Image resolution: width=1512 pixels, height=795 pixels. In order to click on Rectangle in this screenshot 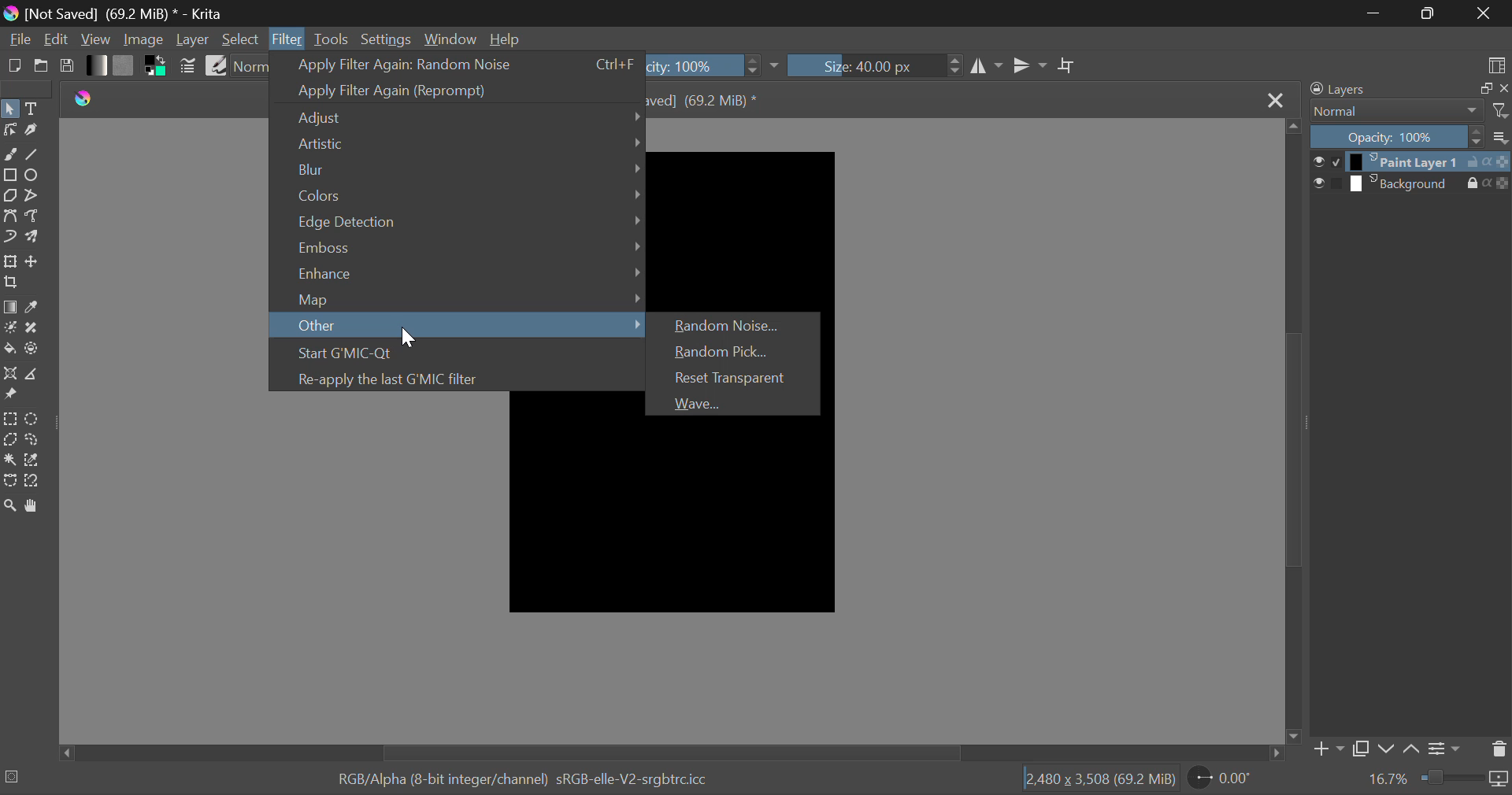, I will do `click(9, 173)`.